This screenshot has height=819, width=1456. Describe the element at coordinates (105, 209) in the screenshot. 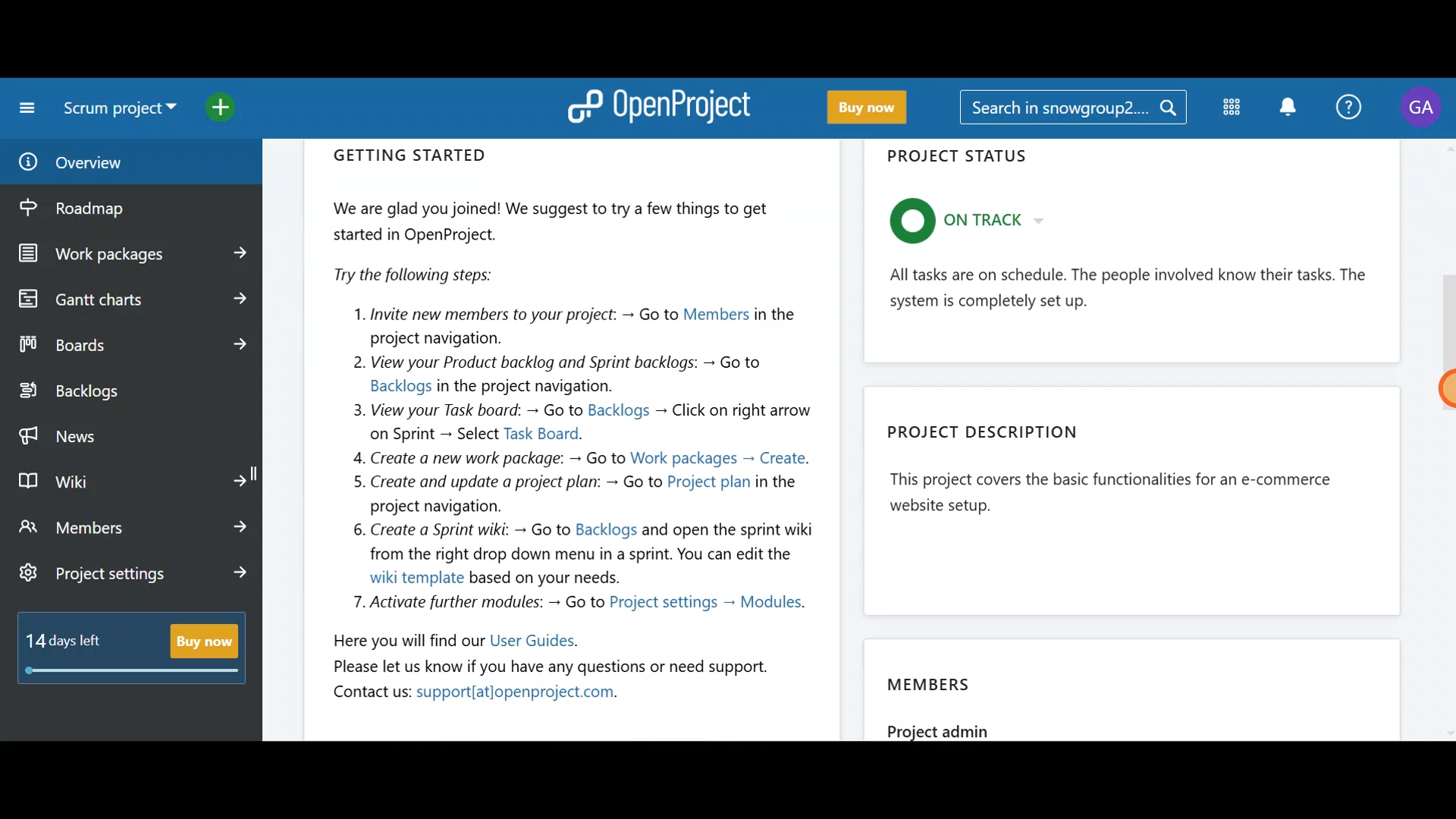

I see `Roadmap` at that location.